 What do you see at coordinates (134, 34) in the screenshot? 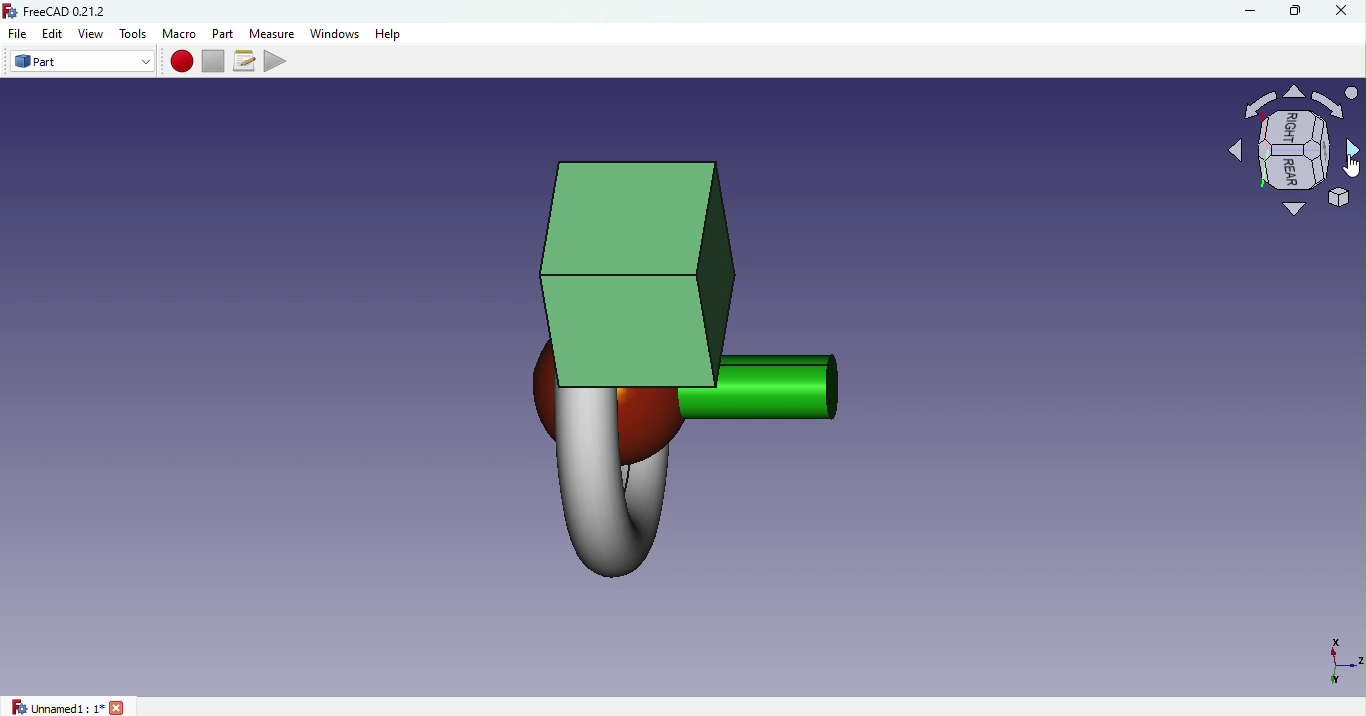
I see `Tools` at bounding box center [134, 34].